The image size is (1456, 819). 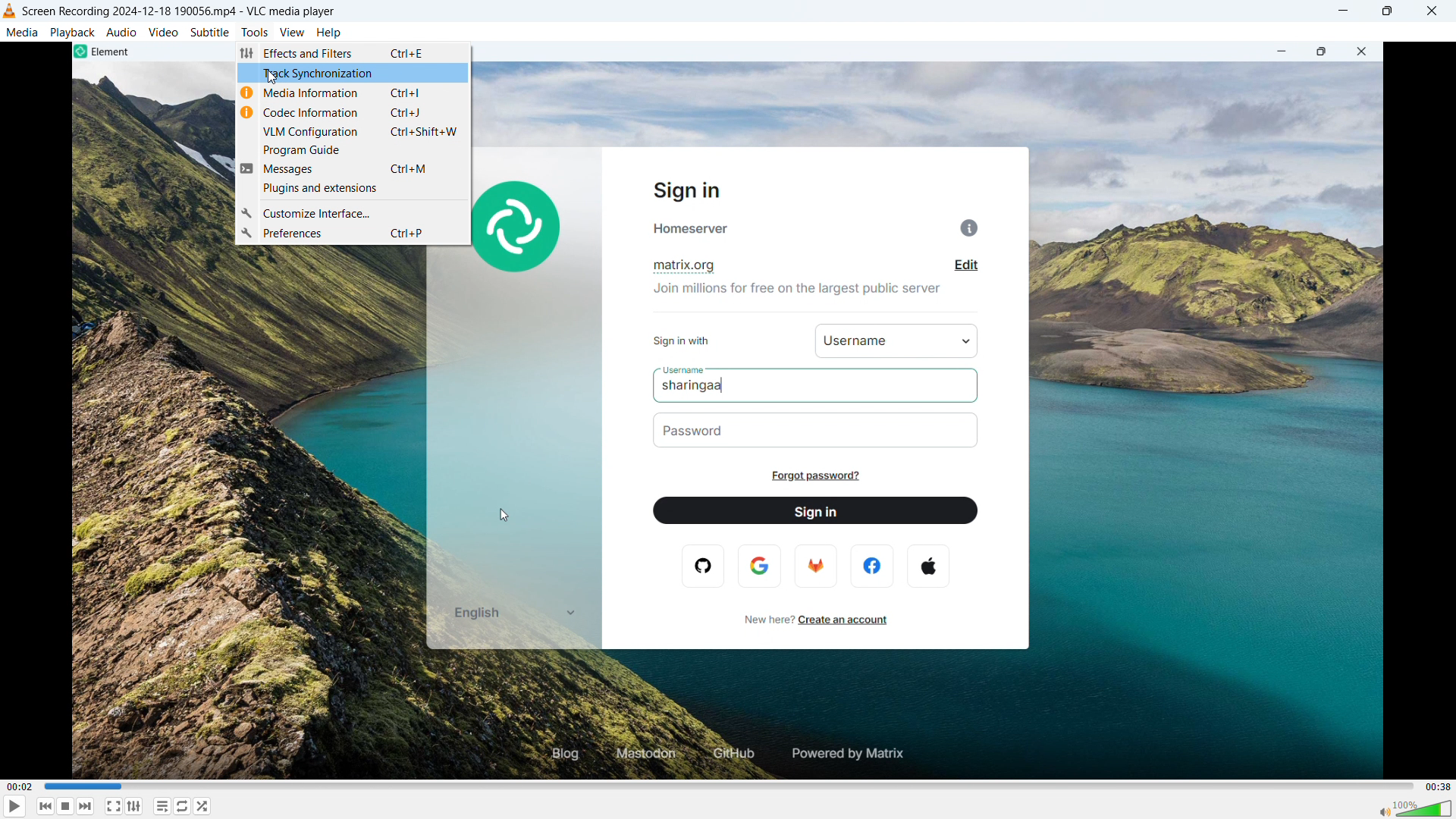 What do you see at coordinates (183, 806) in the screenshot?
I see `toggle between loop all, loop one & no loop` at bounding box center [183, 806].